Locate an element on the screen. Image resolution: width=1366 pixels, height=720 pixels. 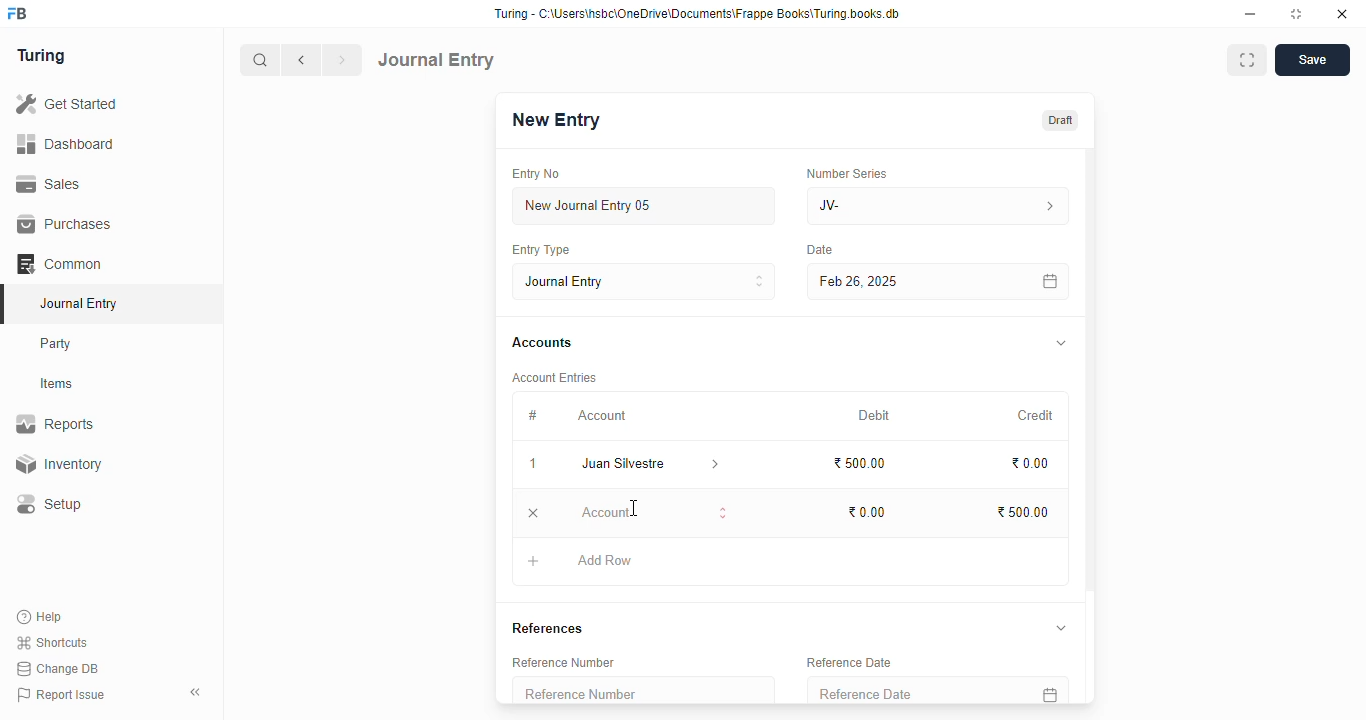
add is located at coordinates (534, 562).